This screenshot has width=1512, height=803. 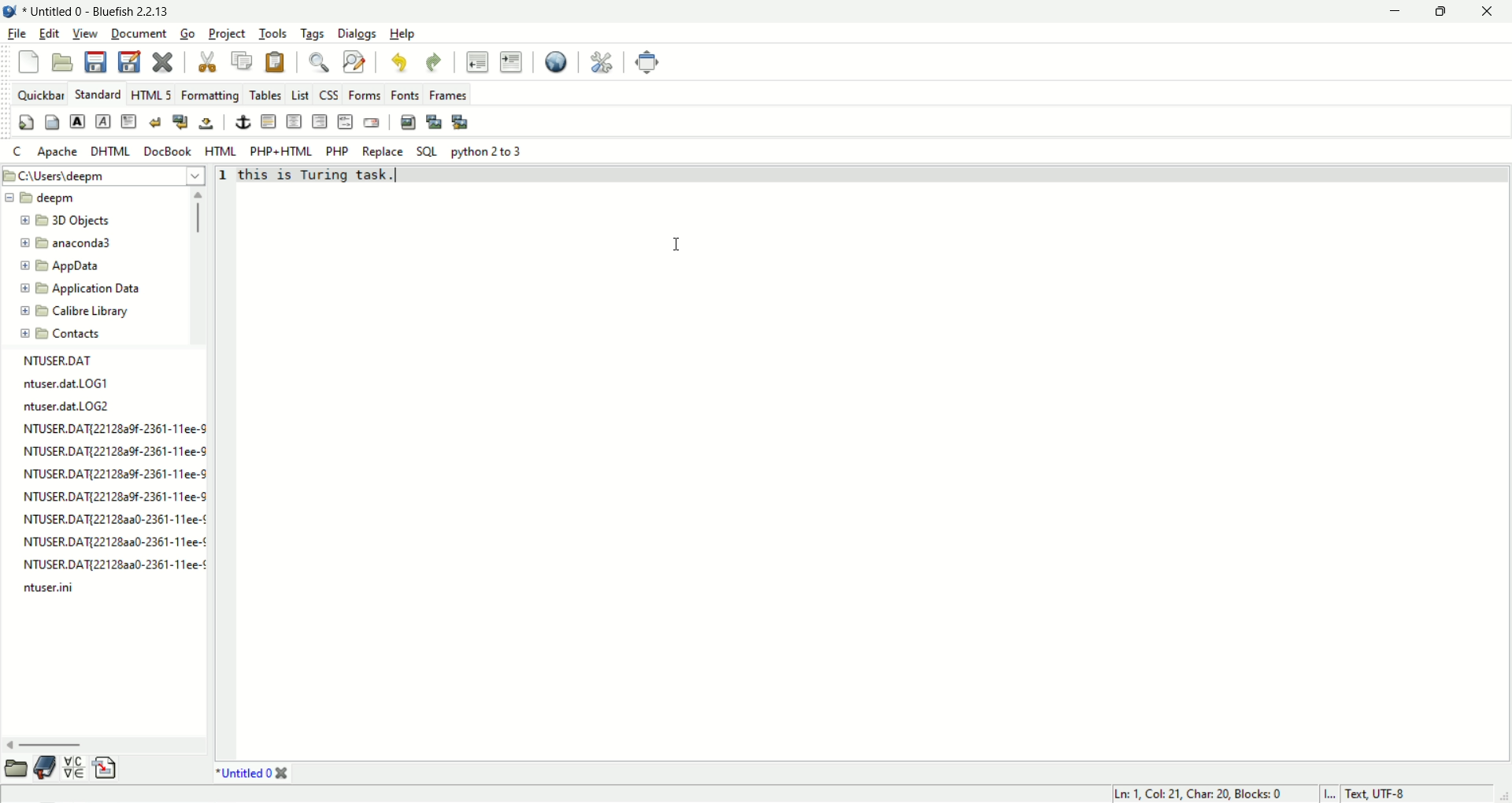 I want to click on c , so click(x=19, y=153).